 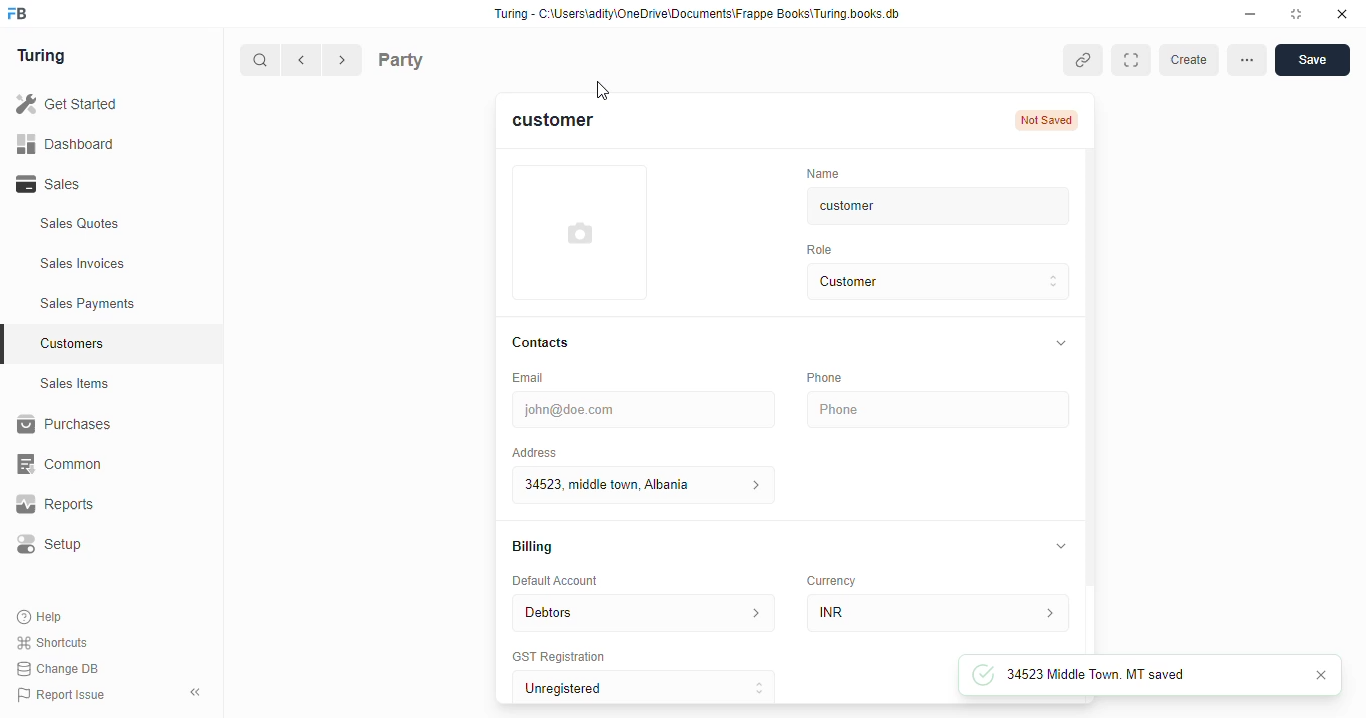 What do you see at coordinates (822, 377) in the screenshot?
I see `Phone` at bounding box center [822, 377].